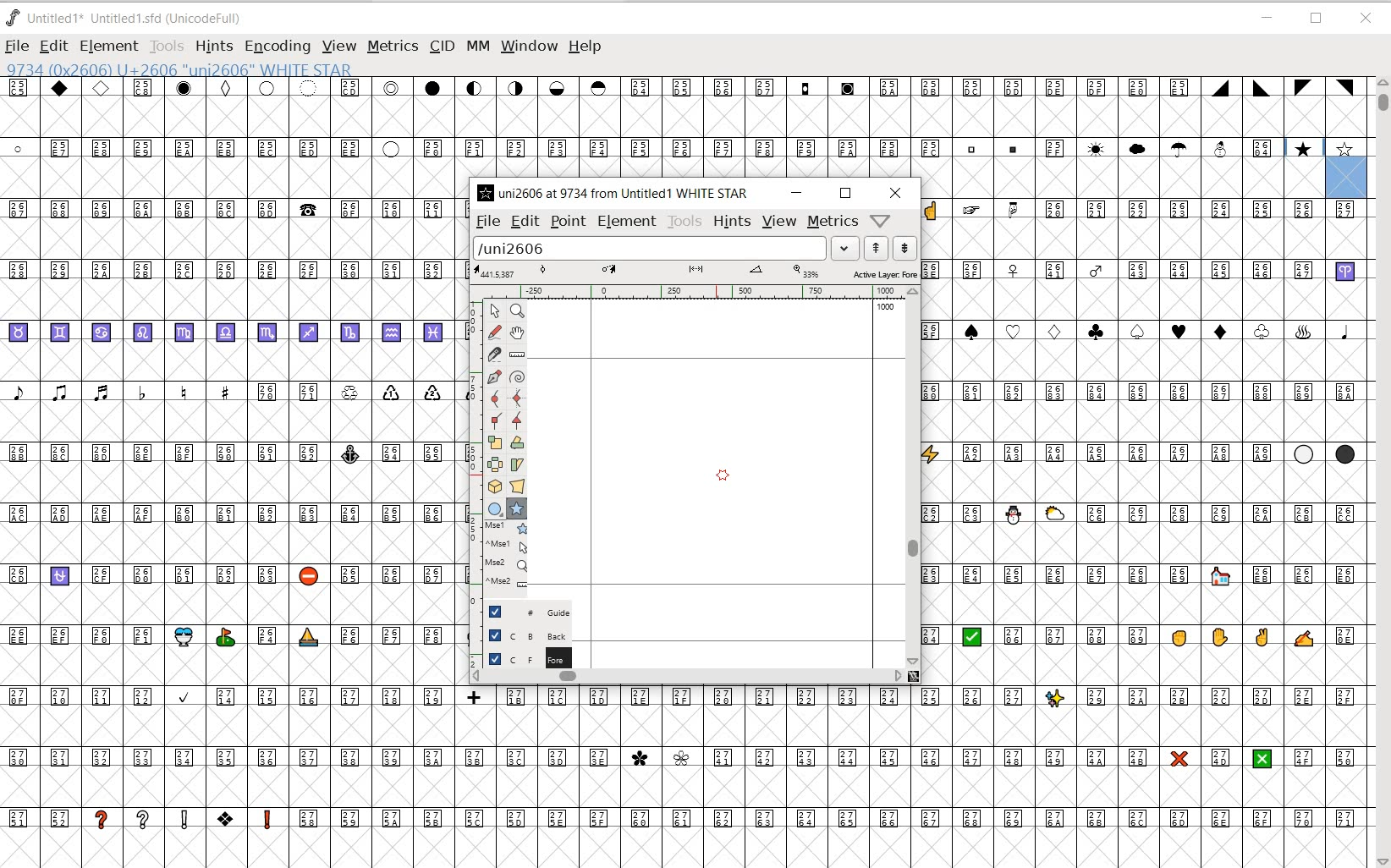 Image resolution: width=1391 pixels, height=868 pixels. I want to click on RESTORE, so click(1318, 19).